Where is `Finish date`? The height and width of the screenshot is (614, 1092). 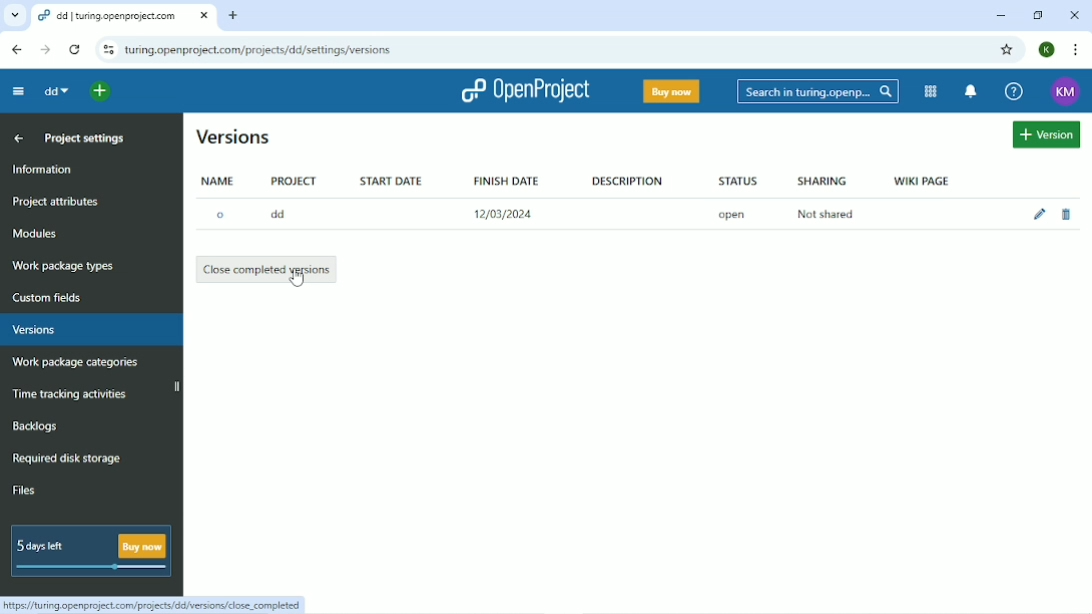
Finish date is located at coordinates (504, 178).